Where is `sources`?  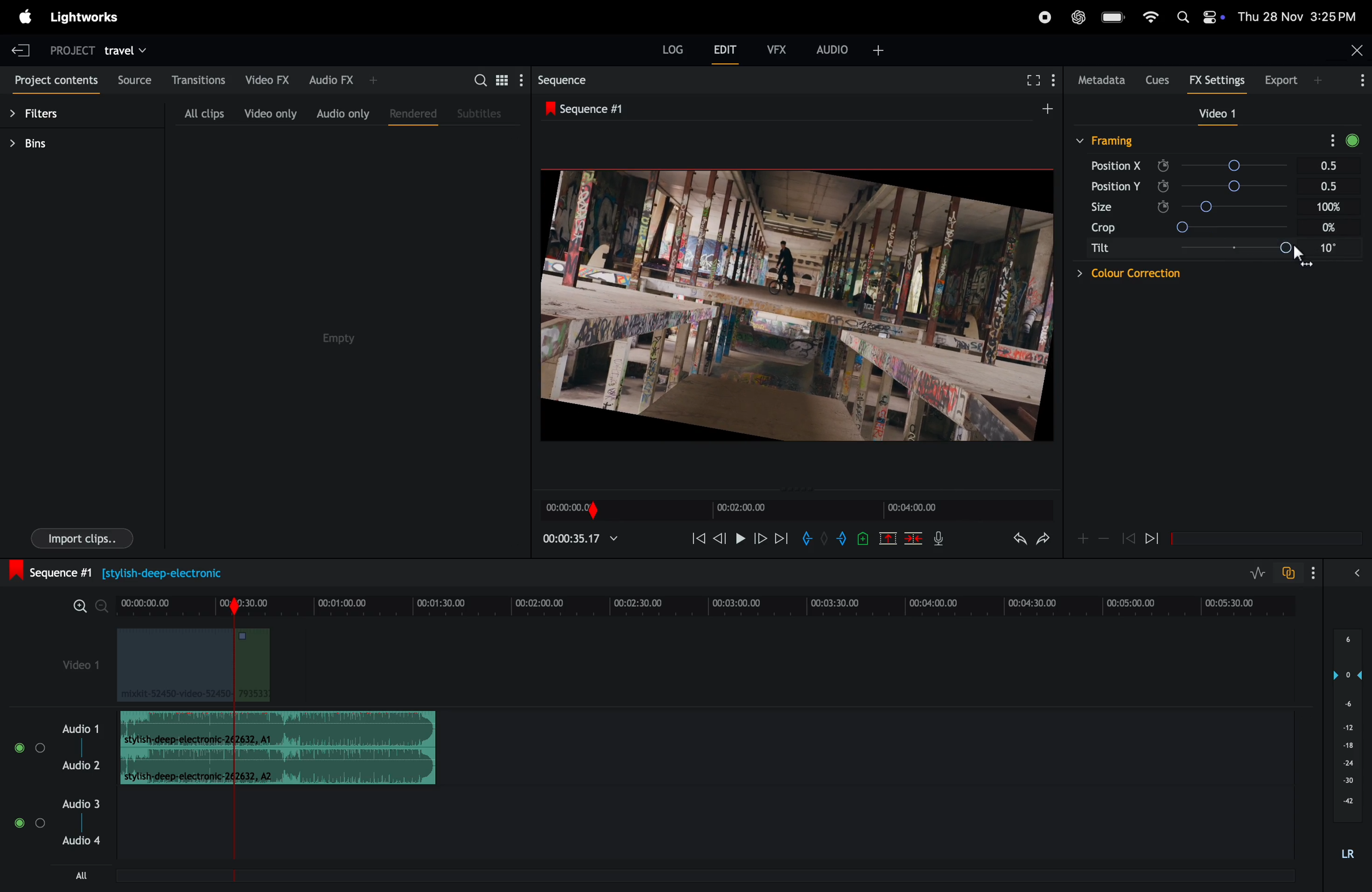 sources is located at coordinates (136, 80).